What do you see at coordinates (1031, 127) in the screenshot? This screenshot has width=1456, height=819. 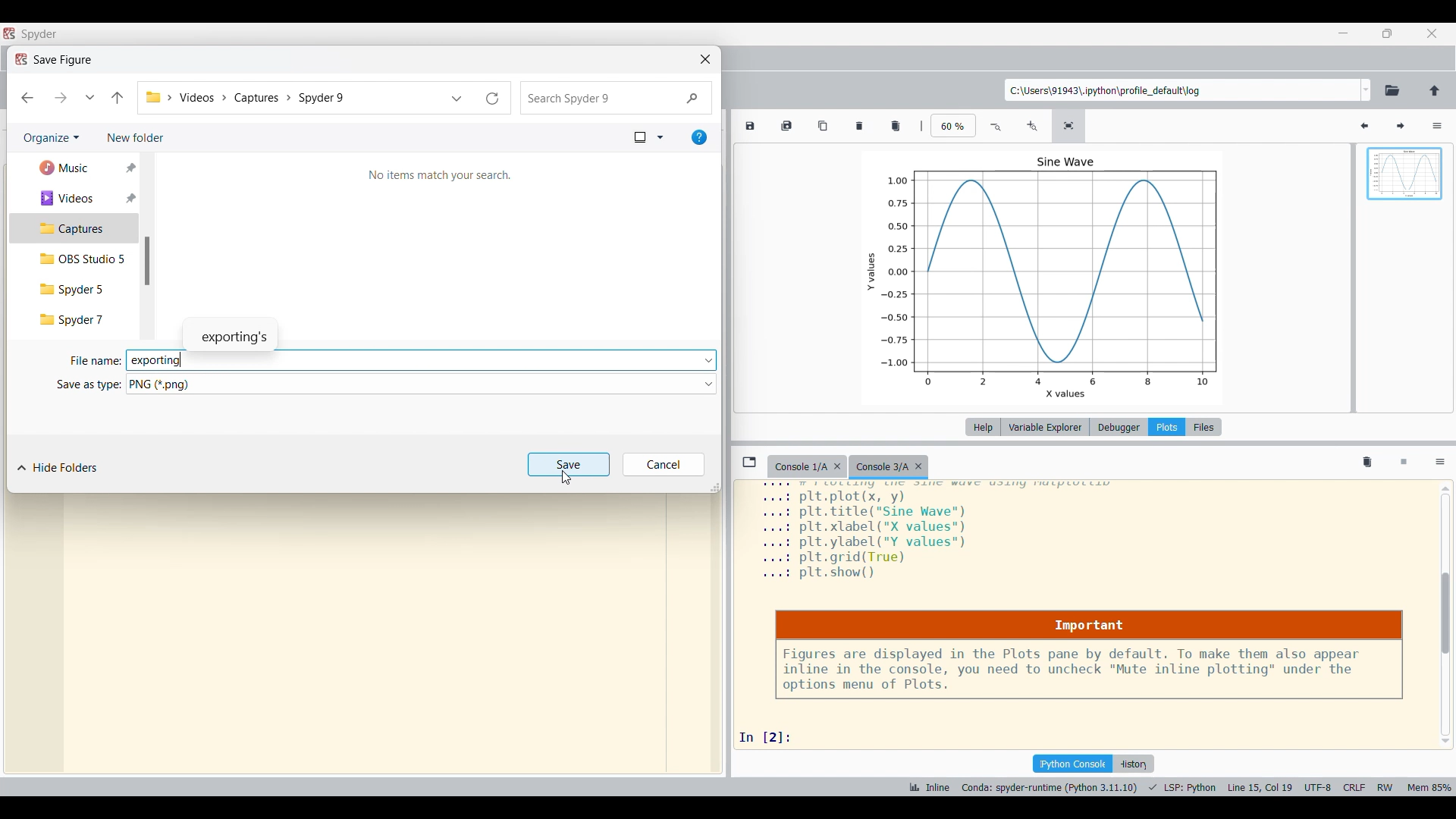 I see `Zoom in` at bounding box center [1031, 127].